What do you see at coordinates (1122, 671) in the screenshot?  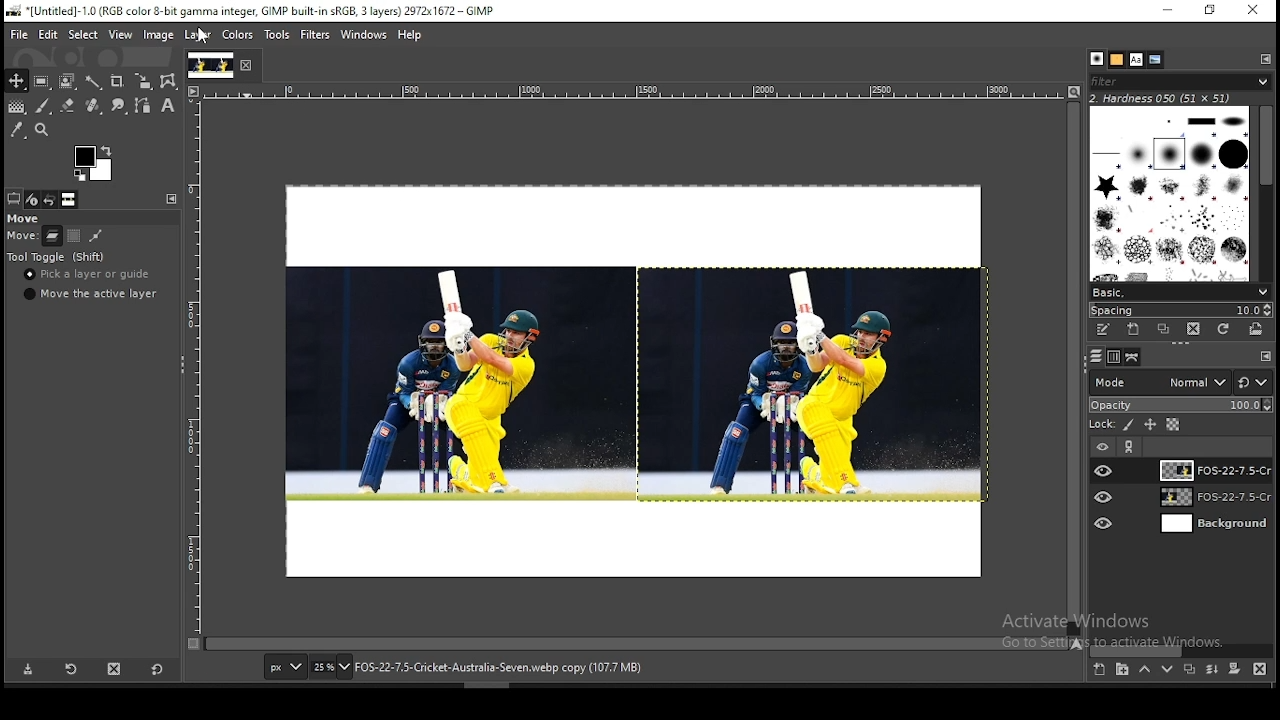 I see `new layer group` at bounding box center [1122, 671].